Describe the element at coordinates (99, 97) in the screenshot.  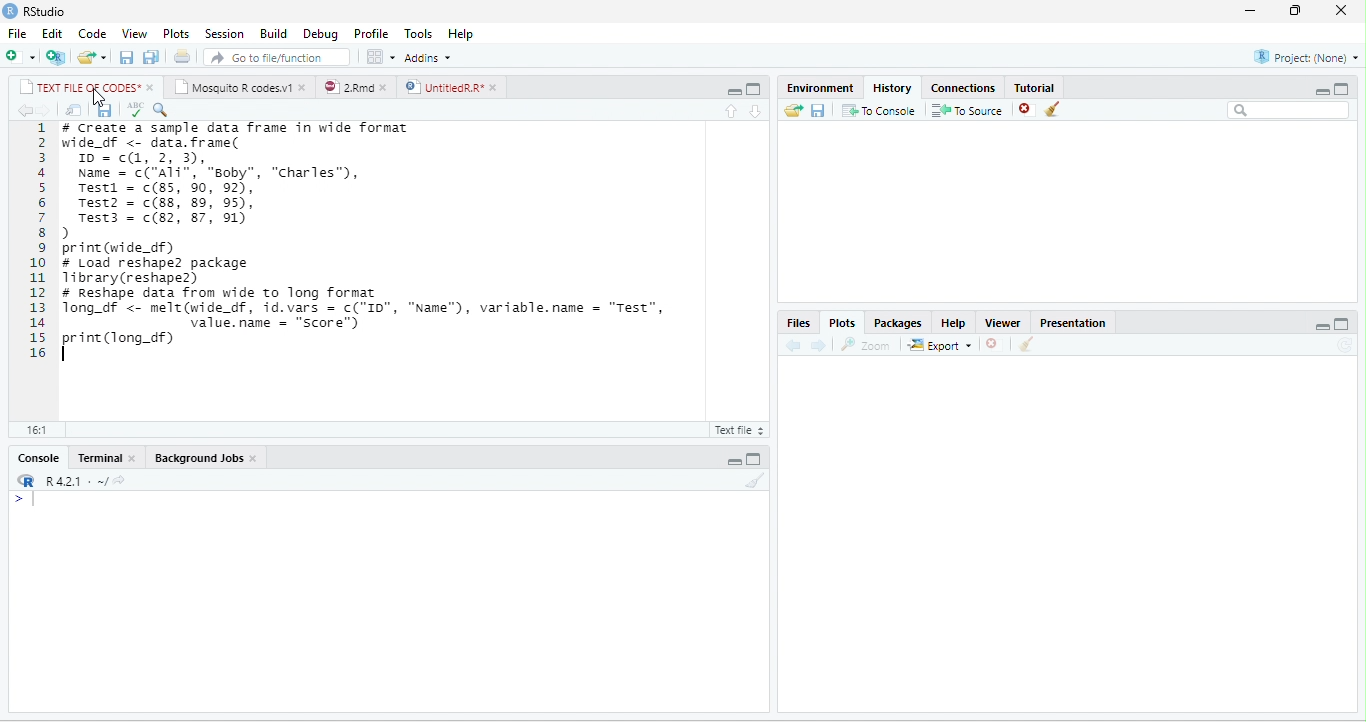
I see `cursor` at that location.